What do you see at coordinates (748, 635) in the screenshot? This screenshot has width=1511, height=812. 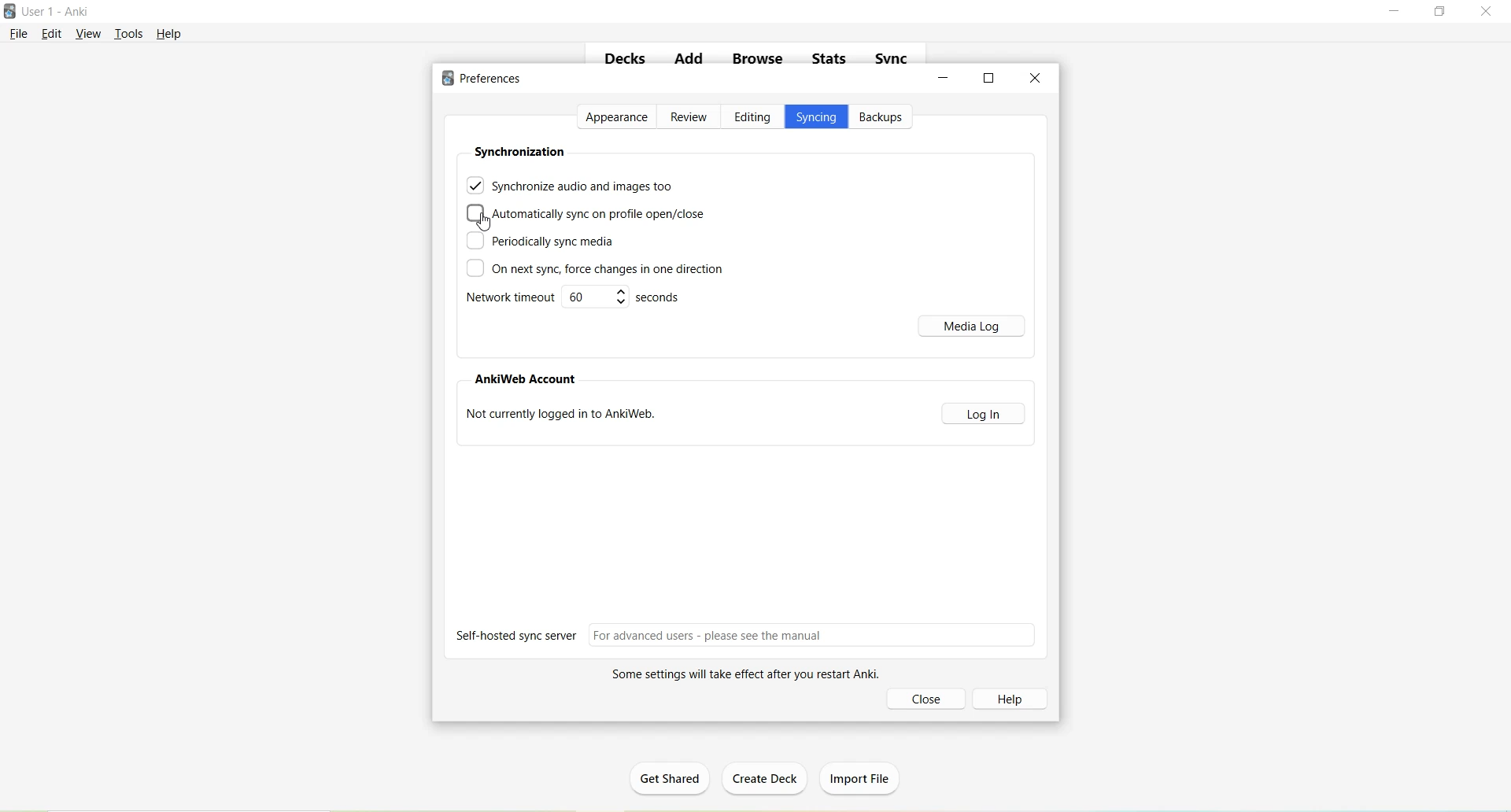 I see `Self-hosted sync server` at bounding box center [748, 635].